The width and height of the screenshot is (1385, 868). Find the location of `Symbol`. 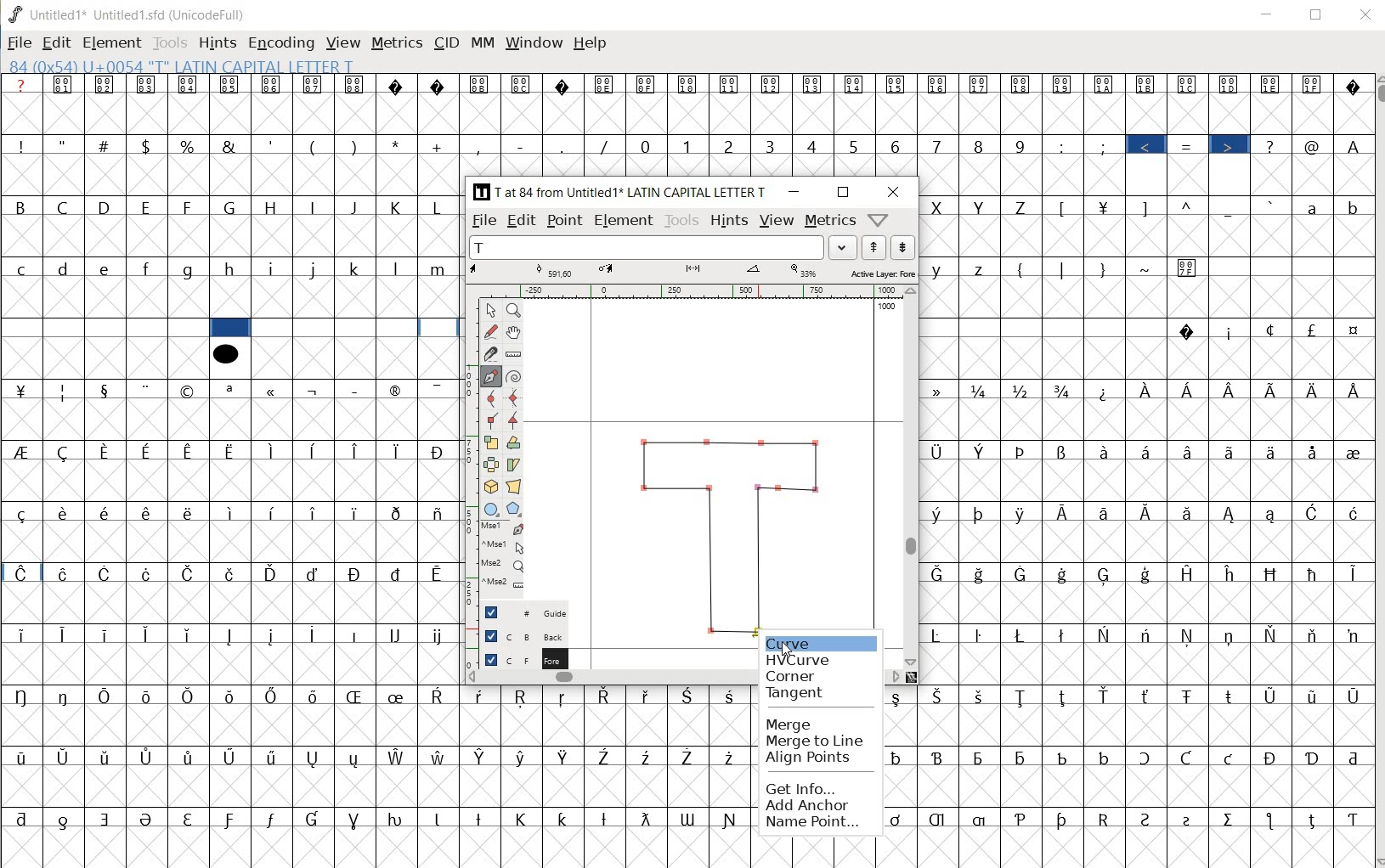

Symbol is located at coordinates (942, 392).